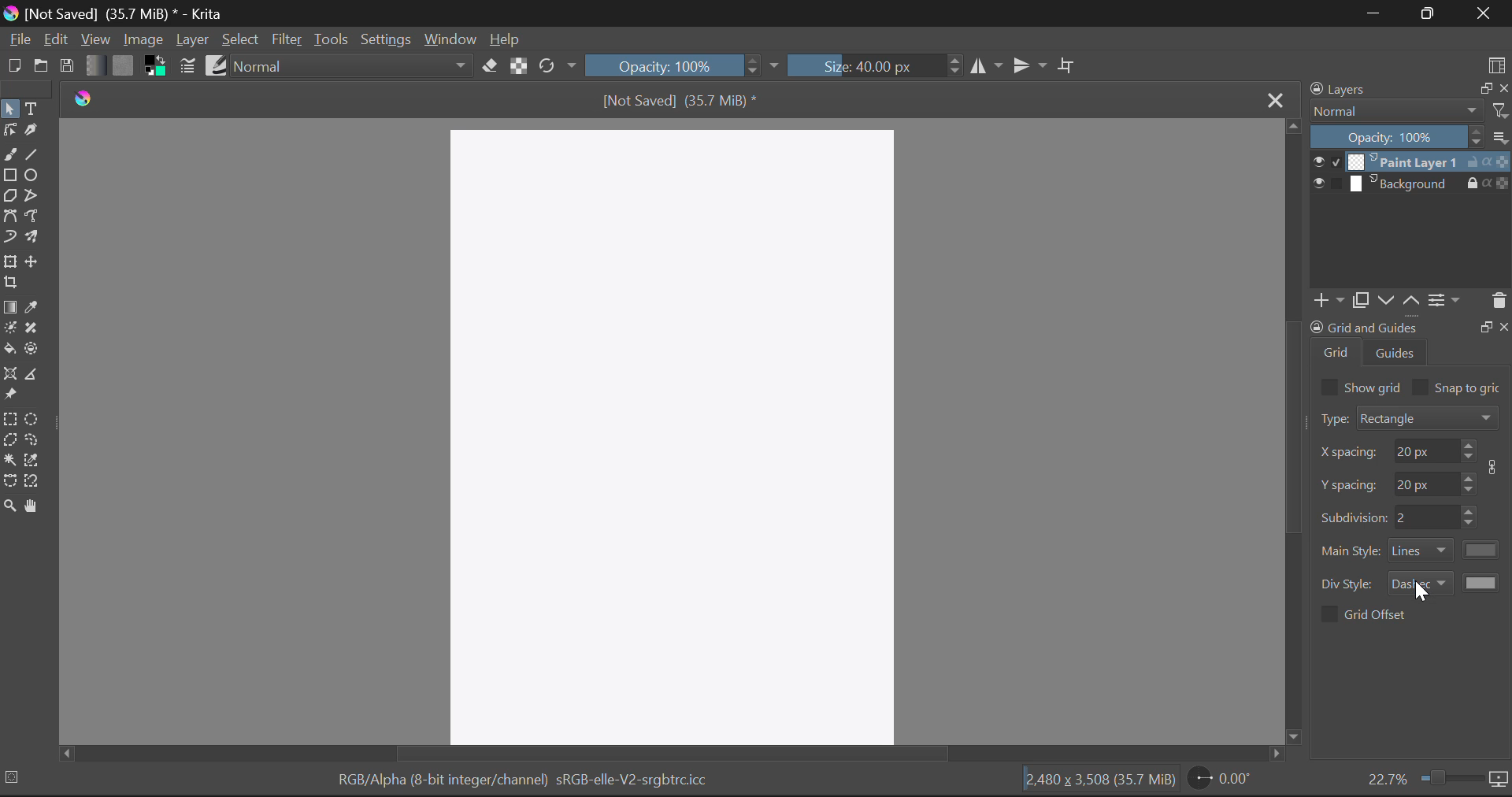 Image resolution: width=1512 pixels, height=797 pixels. Describe the element at coordinates (34, 420) in the screenshot. I see `Circular Selection` at that location.